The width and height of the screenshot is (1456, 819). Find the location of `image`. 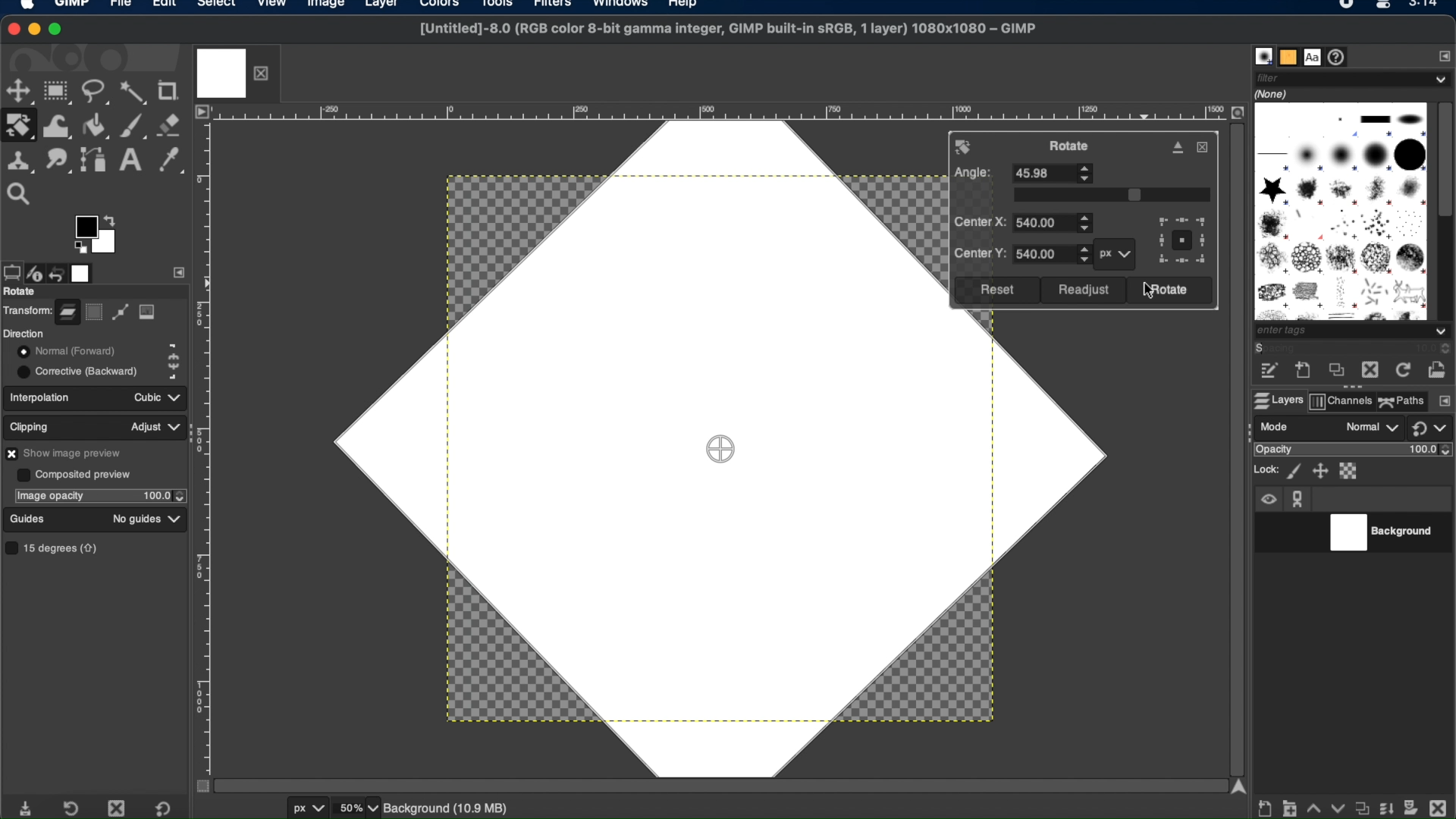

image is located at coordinates (324, 6).